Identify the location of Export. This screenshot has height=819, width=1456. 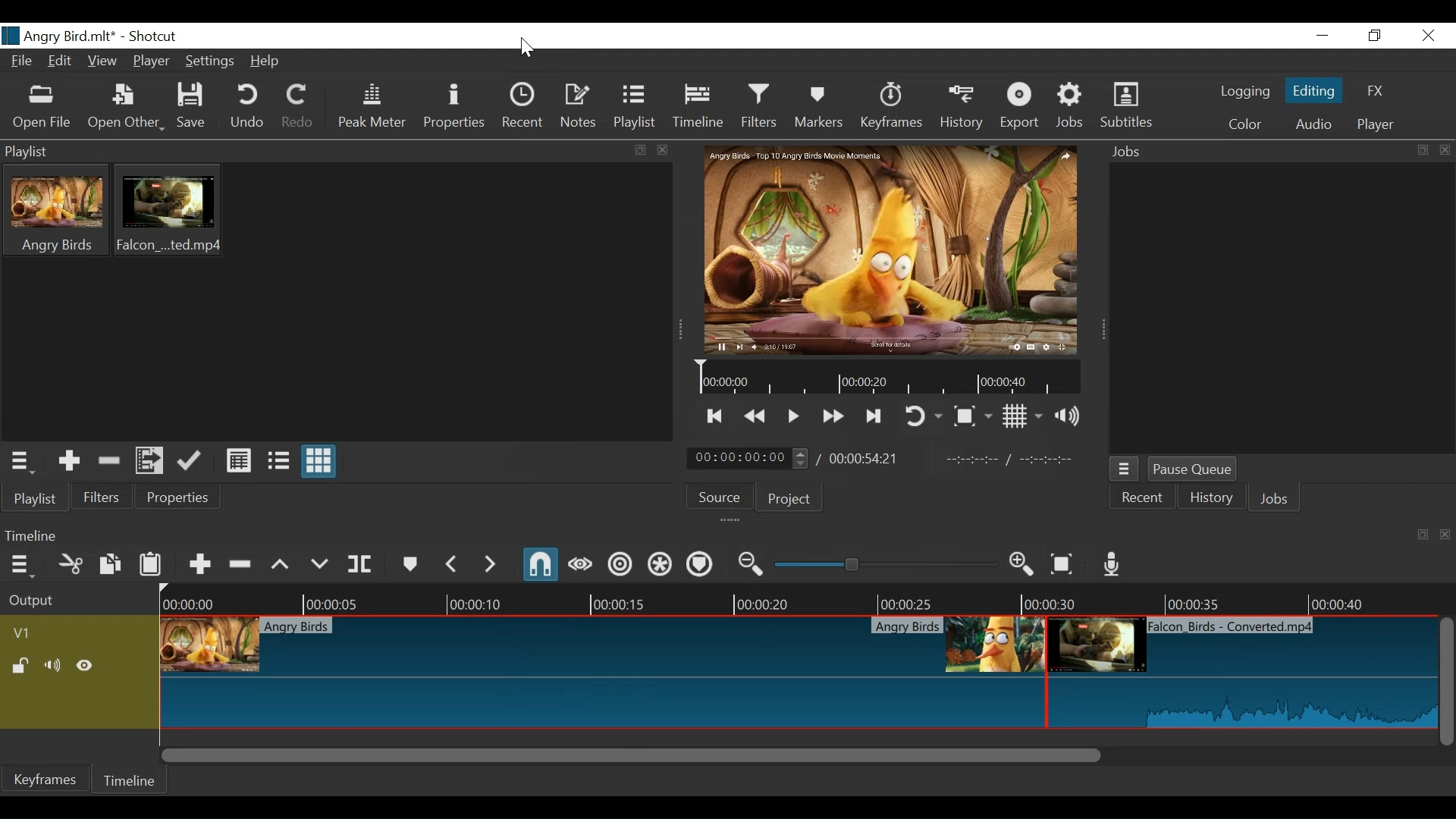
(1020, 106).